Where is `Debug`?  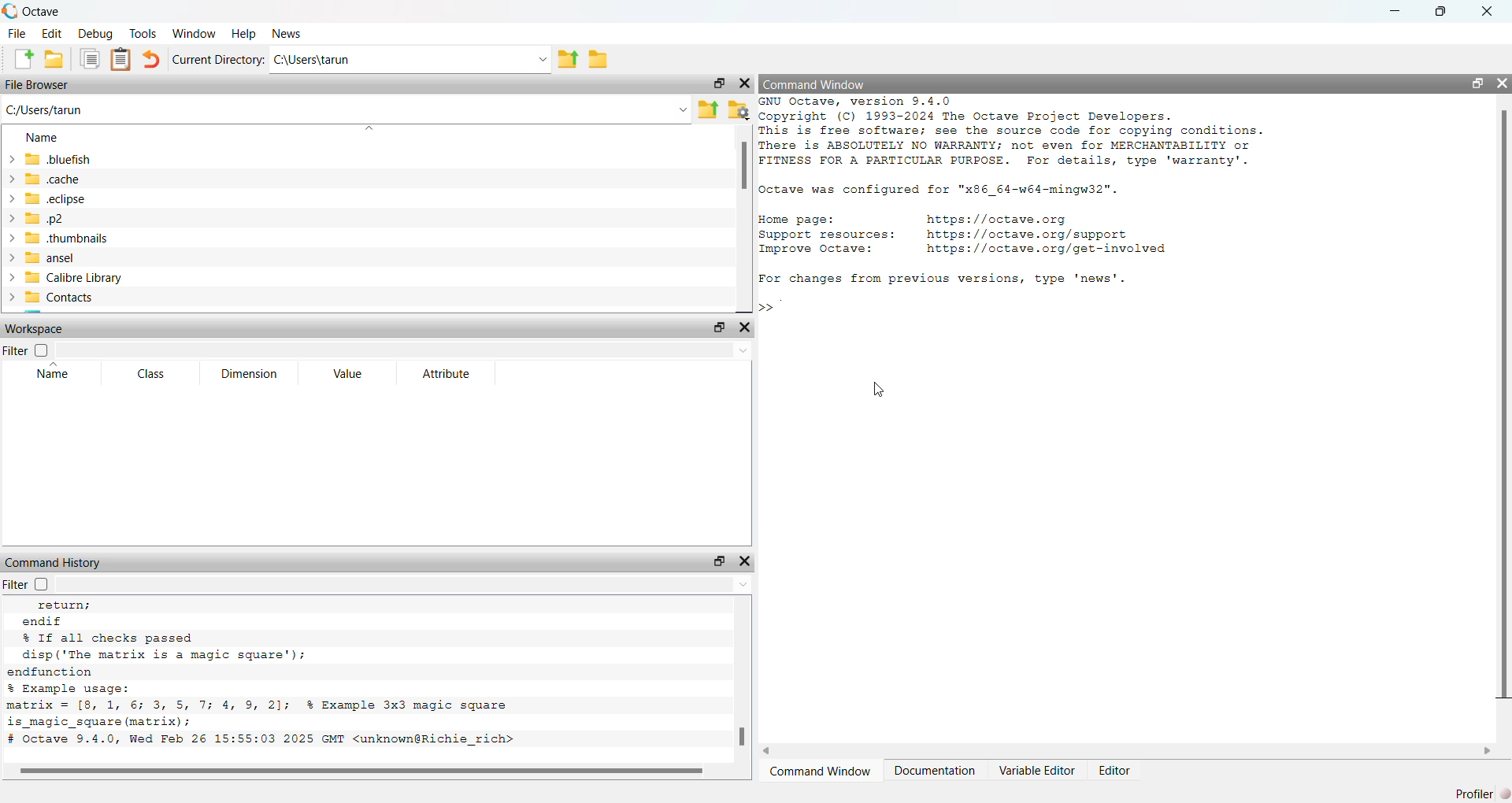 Debug is located at coordinates (97, 34).